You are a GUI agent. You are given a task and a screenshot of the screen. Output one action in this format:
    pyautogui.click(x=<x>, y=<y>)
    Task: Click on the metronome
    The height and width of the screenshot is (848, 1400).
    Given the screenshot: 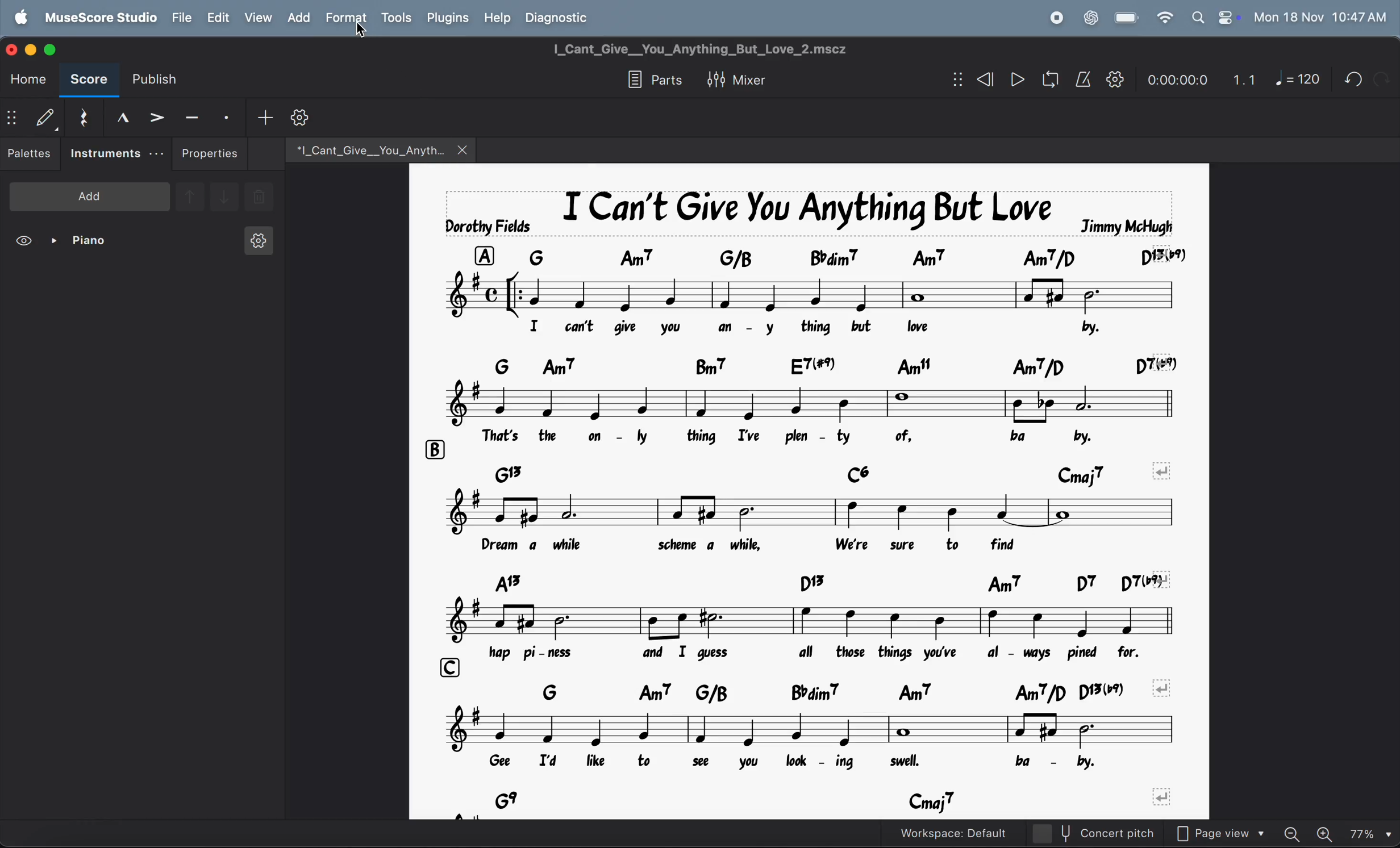 What is the action you would take?
    pyautogui.click(x=1084, y=80)
    